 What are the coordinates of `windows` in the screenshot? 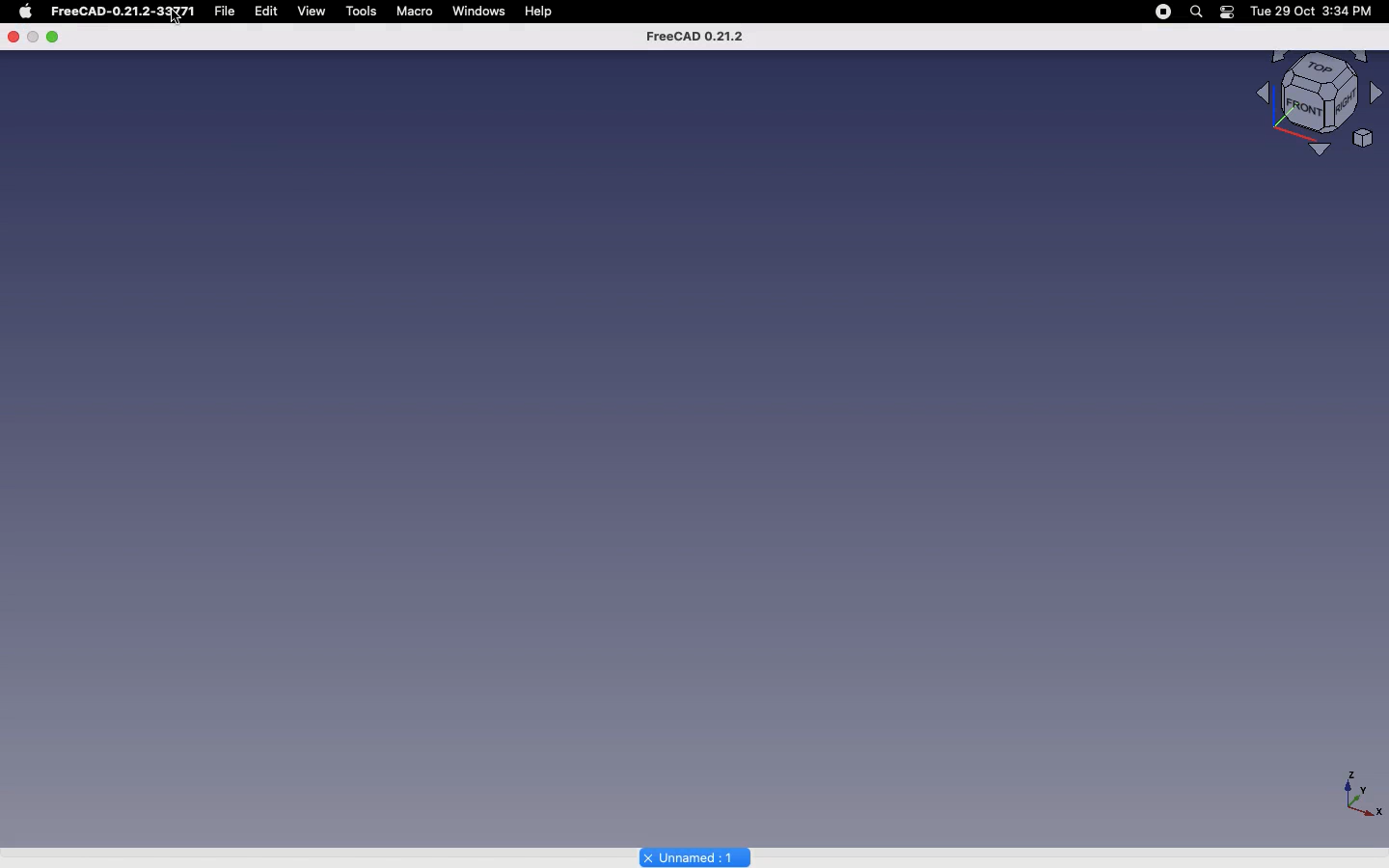 It's located at (479, 12).